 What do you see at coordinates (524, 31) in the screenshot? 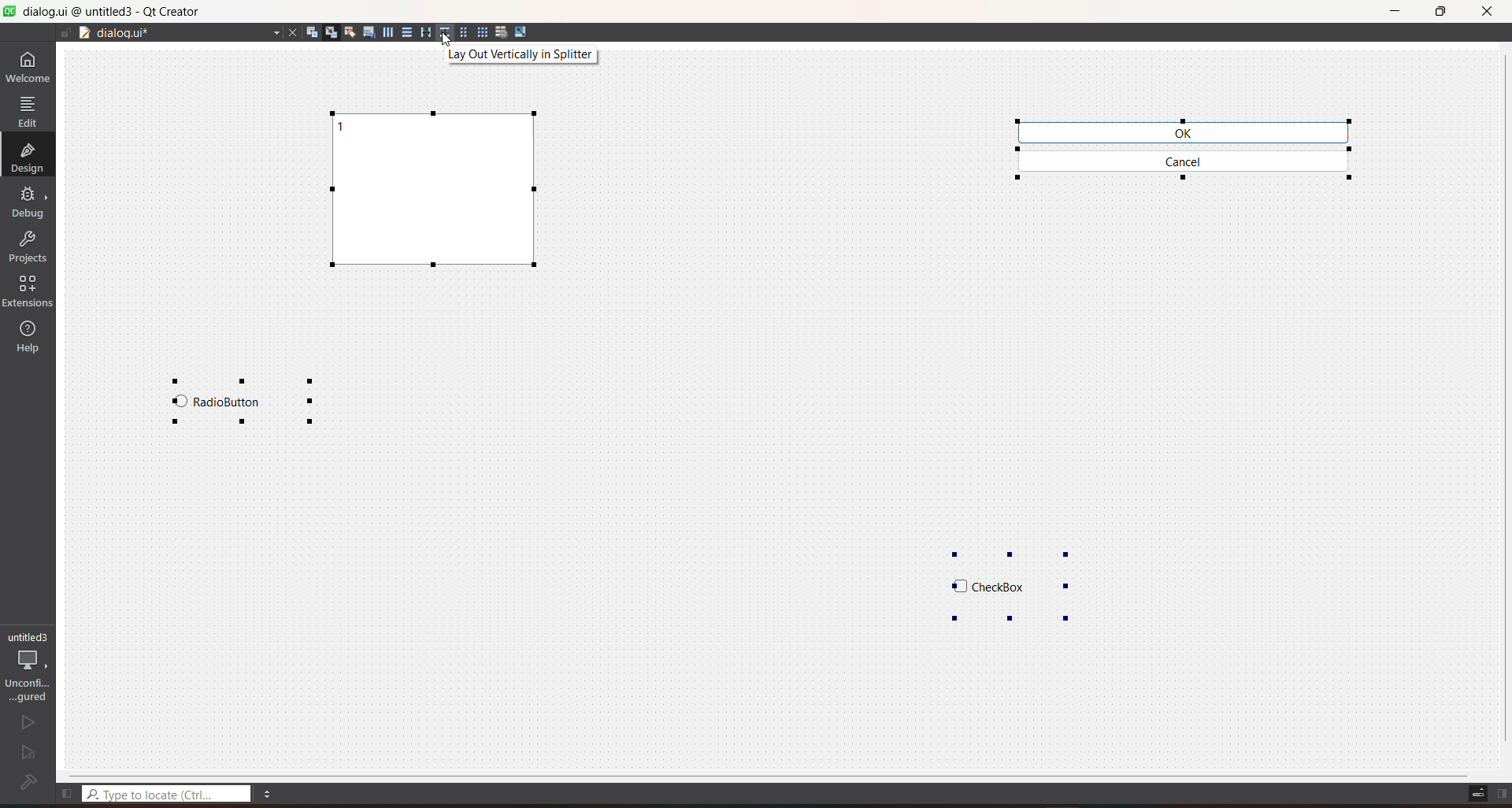
I see `adjust size` at bounding box center [524, 31].